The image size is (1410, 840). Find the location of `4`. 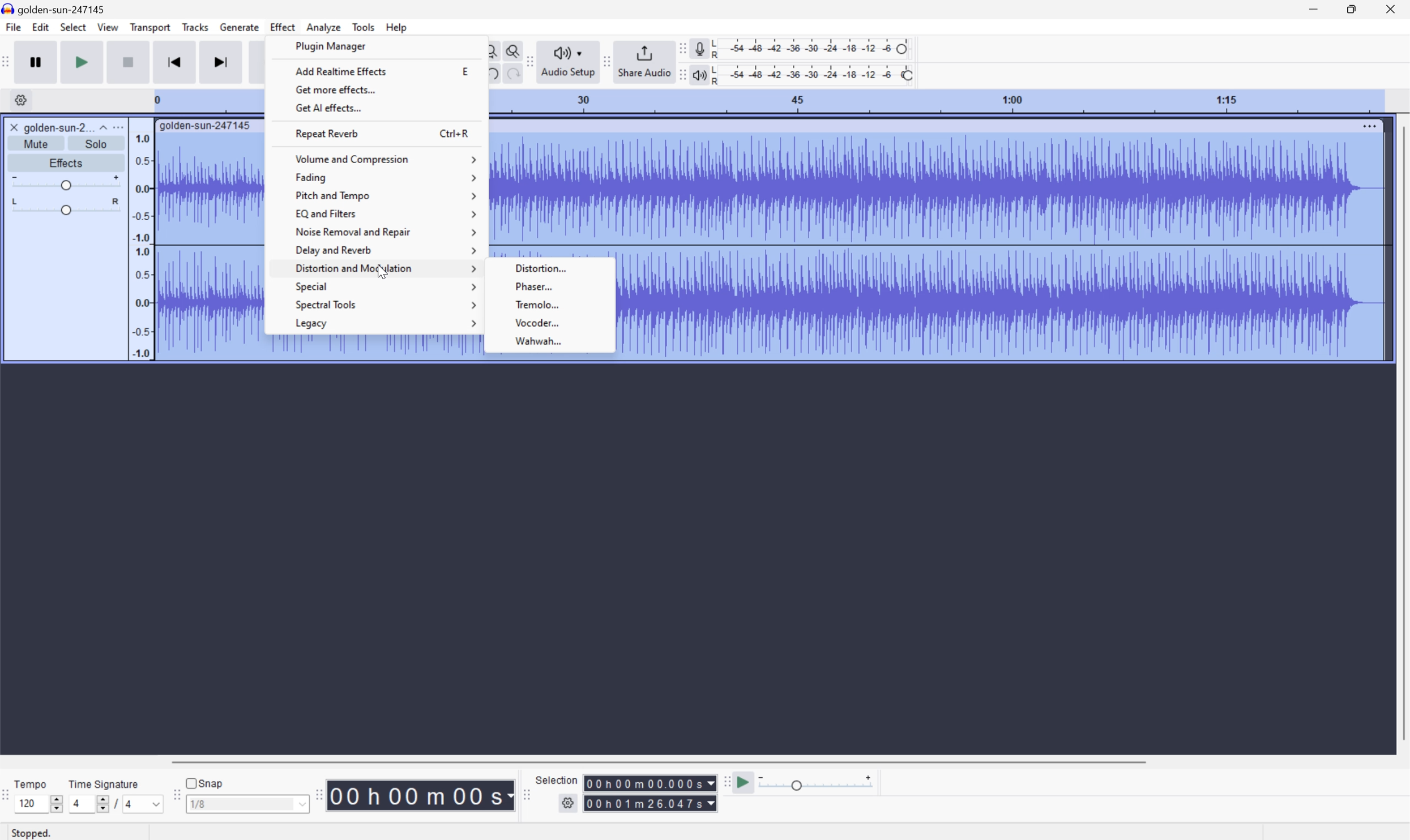

4 is located at coordinates (87, 804).